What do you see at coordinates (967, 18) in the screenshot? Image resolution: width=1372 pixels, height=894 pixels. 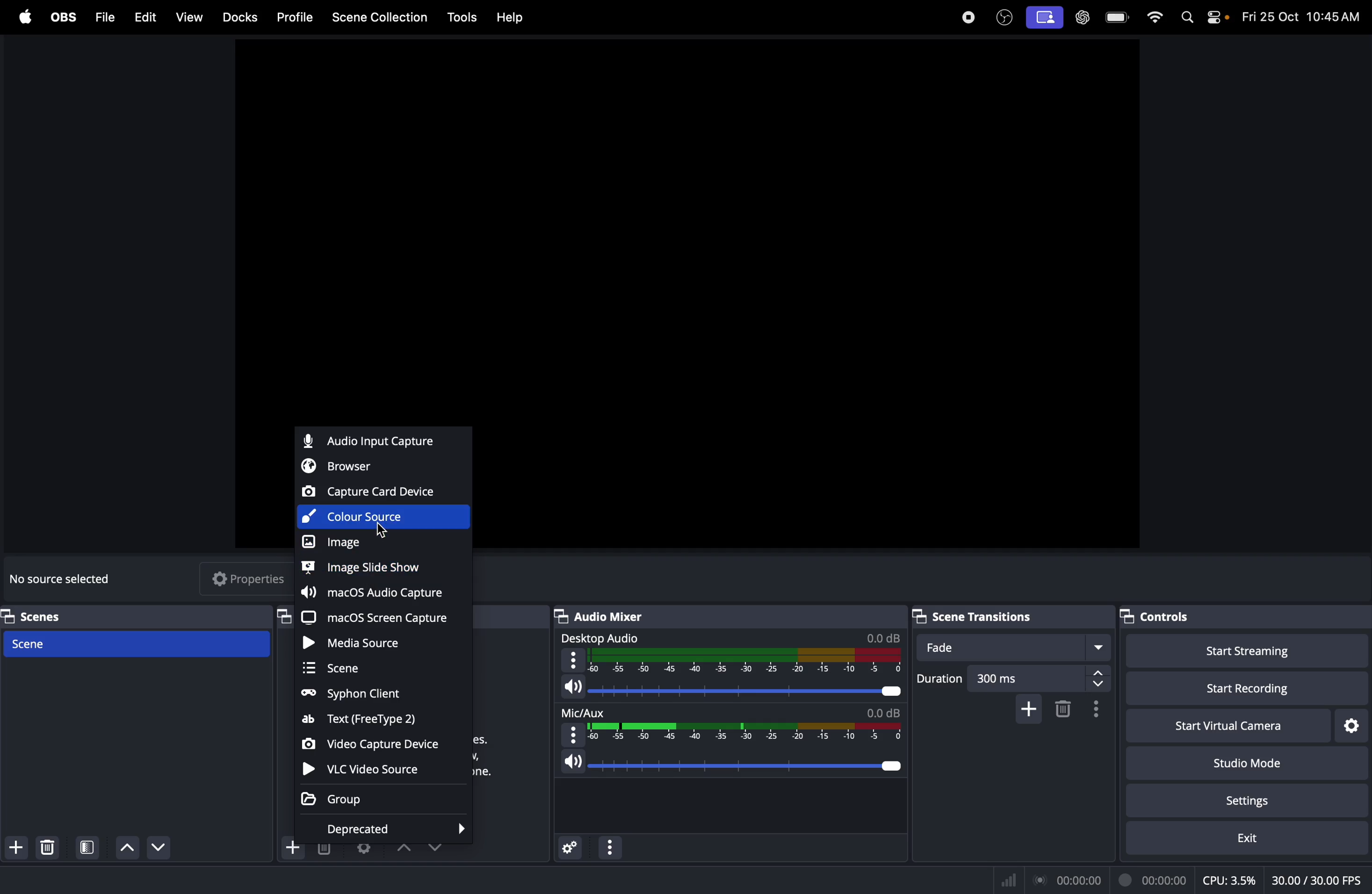 I see `record` at bounding box center [967, 18].